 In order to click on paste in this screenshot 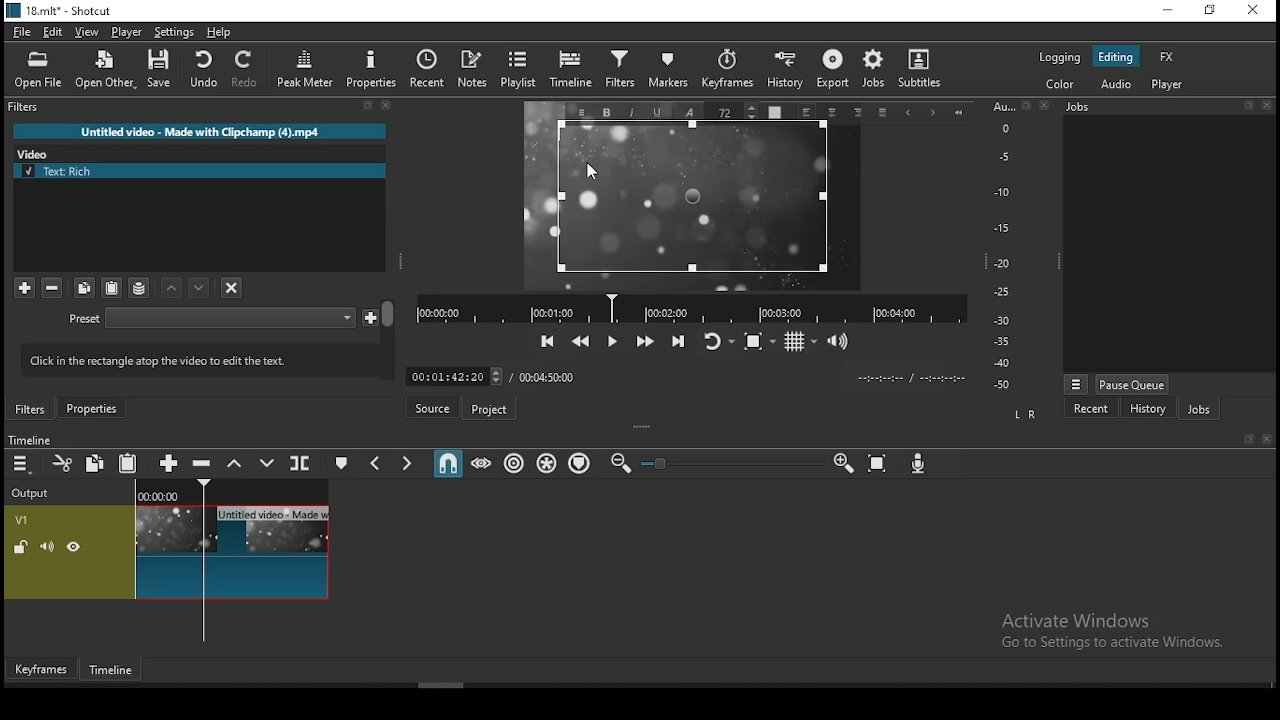, I will do `click(111, 288)`.